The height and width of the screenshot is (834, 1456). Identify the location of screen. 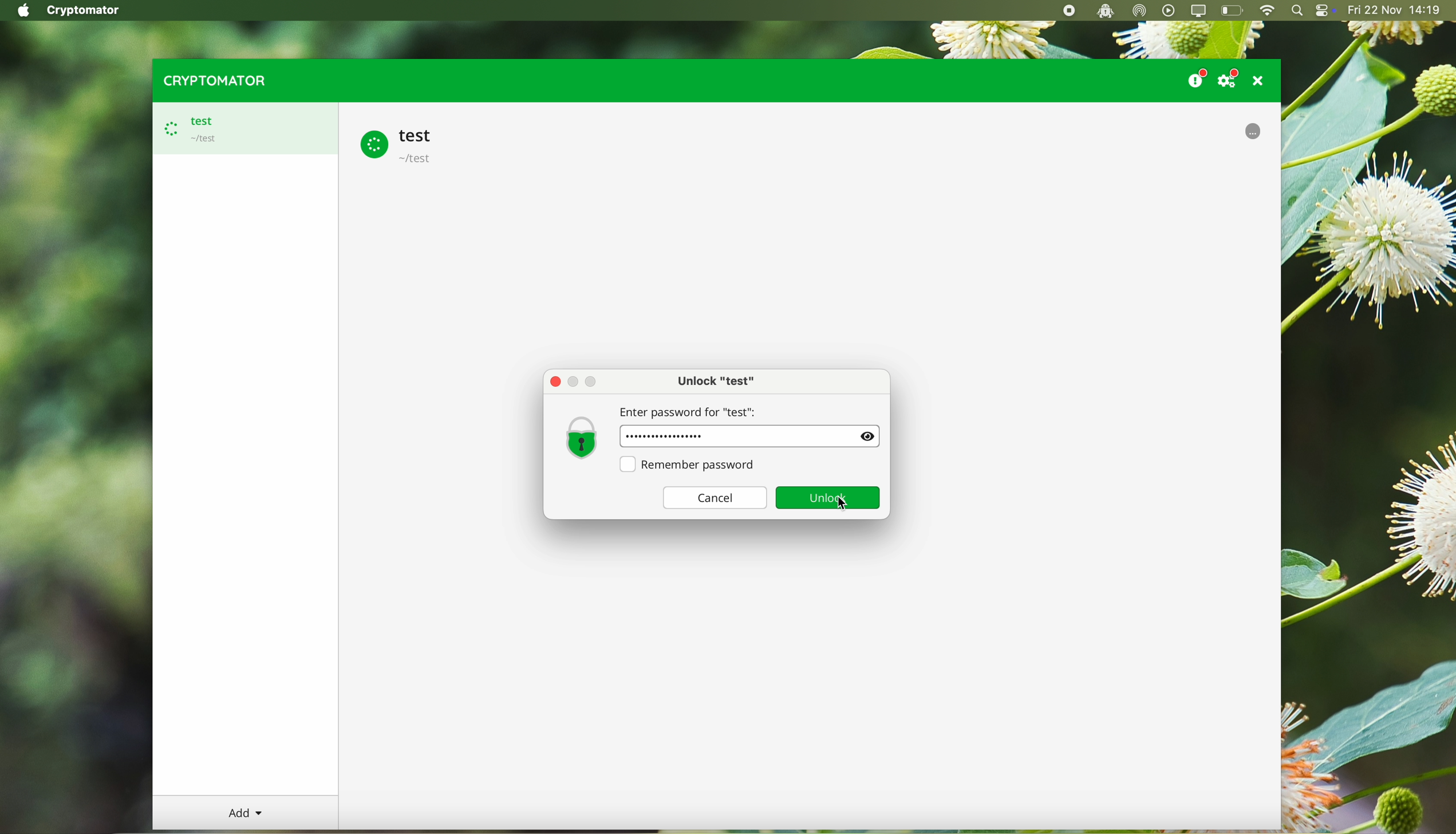
(1200, 11).